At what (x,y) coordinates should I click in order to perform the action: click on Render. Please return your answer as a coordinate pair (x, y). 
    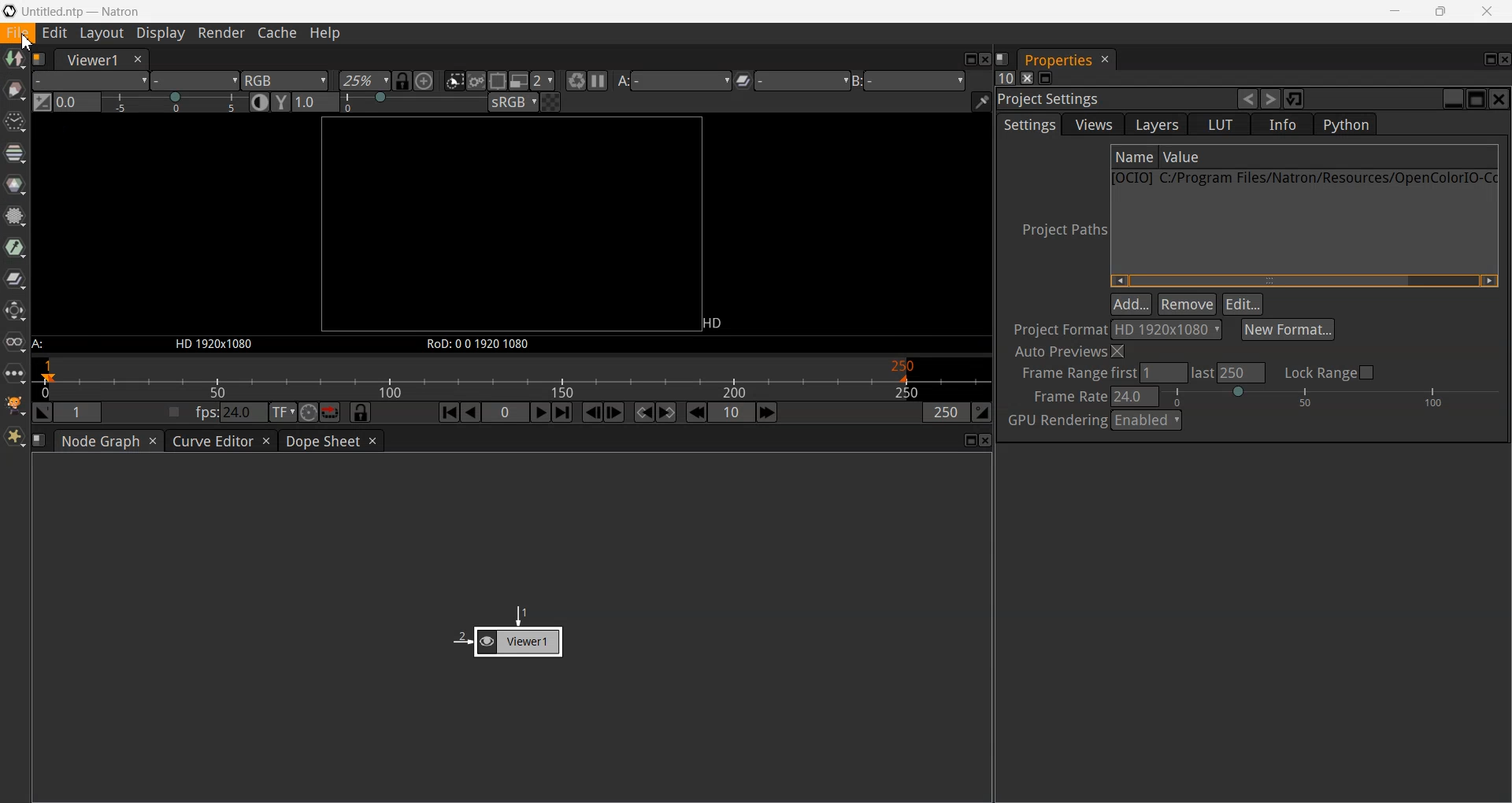
    Looking at the image, I should click on (220, 34).